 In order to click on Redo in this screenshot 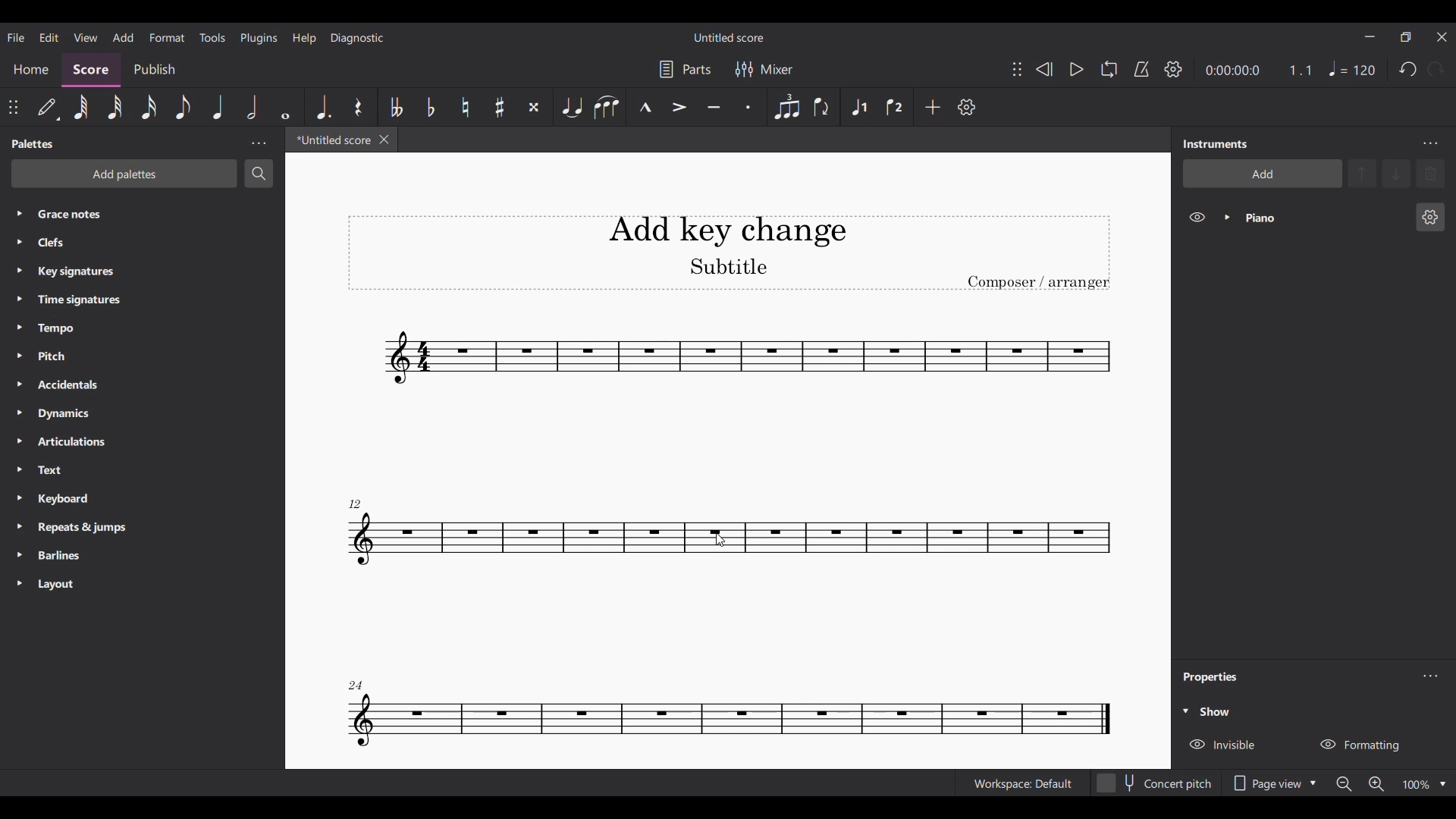, I will do `click(1436, 69)`.